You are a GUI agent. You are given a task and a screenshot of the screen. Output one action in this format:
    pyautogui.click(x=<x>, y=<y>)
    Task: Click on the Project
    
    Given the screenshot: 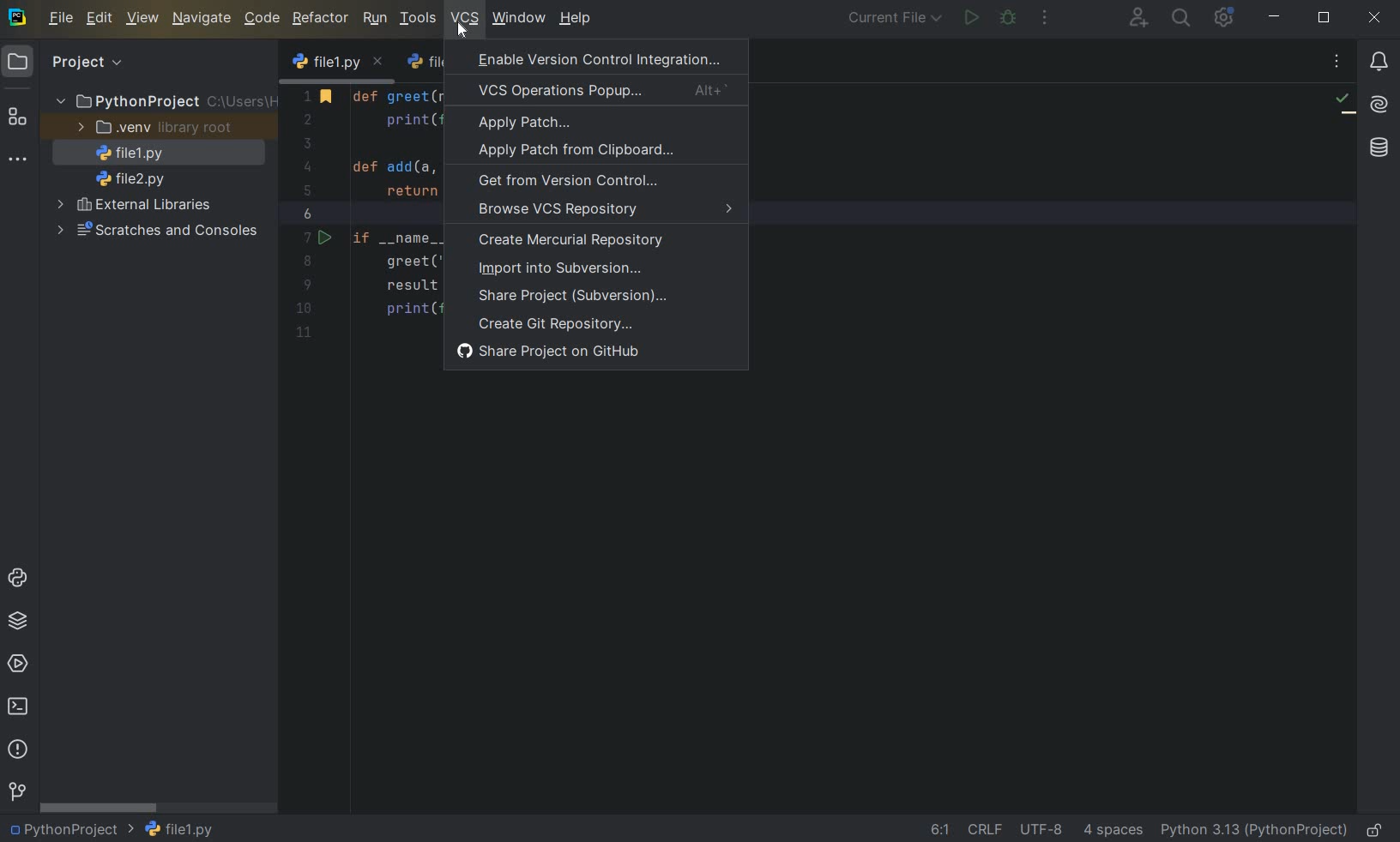 What is the action you would take?
    pyautogui.click(x=87, y=63)
    